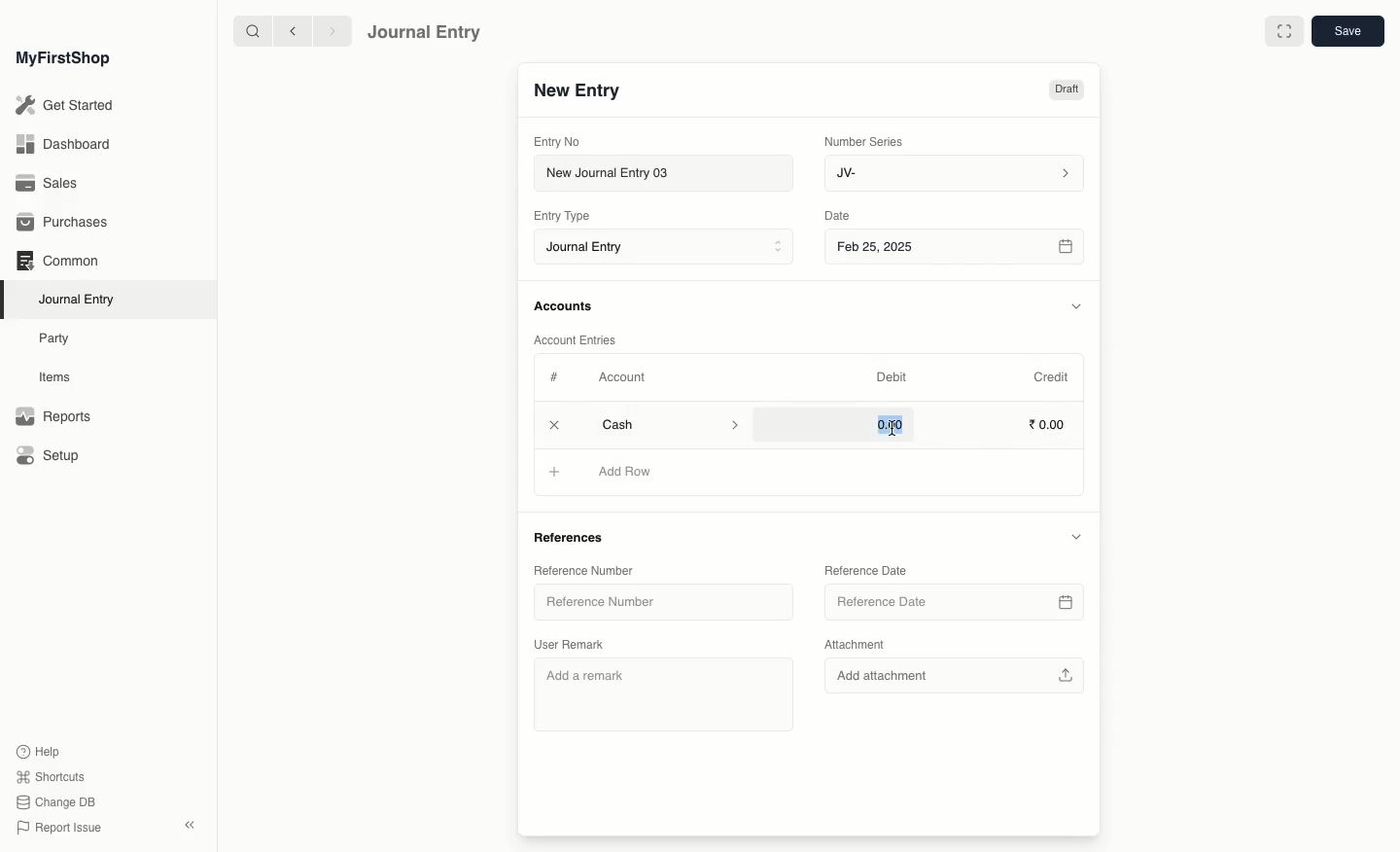  I want to click on search, so click(248, 31).